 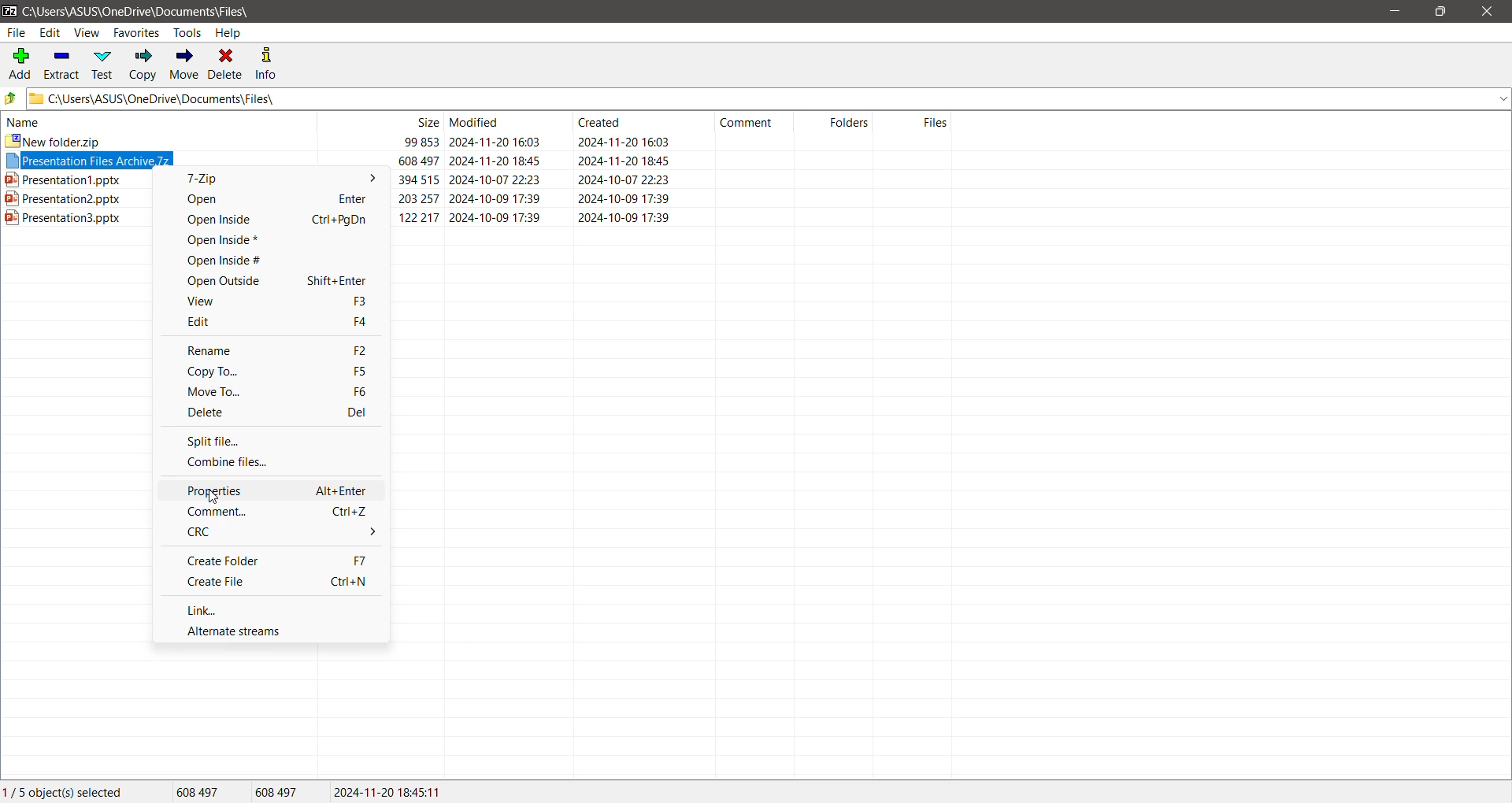 I want to click on Open Inside#, so click(x=230, y=260).